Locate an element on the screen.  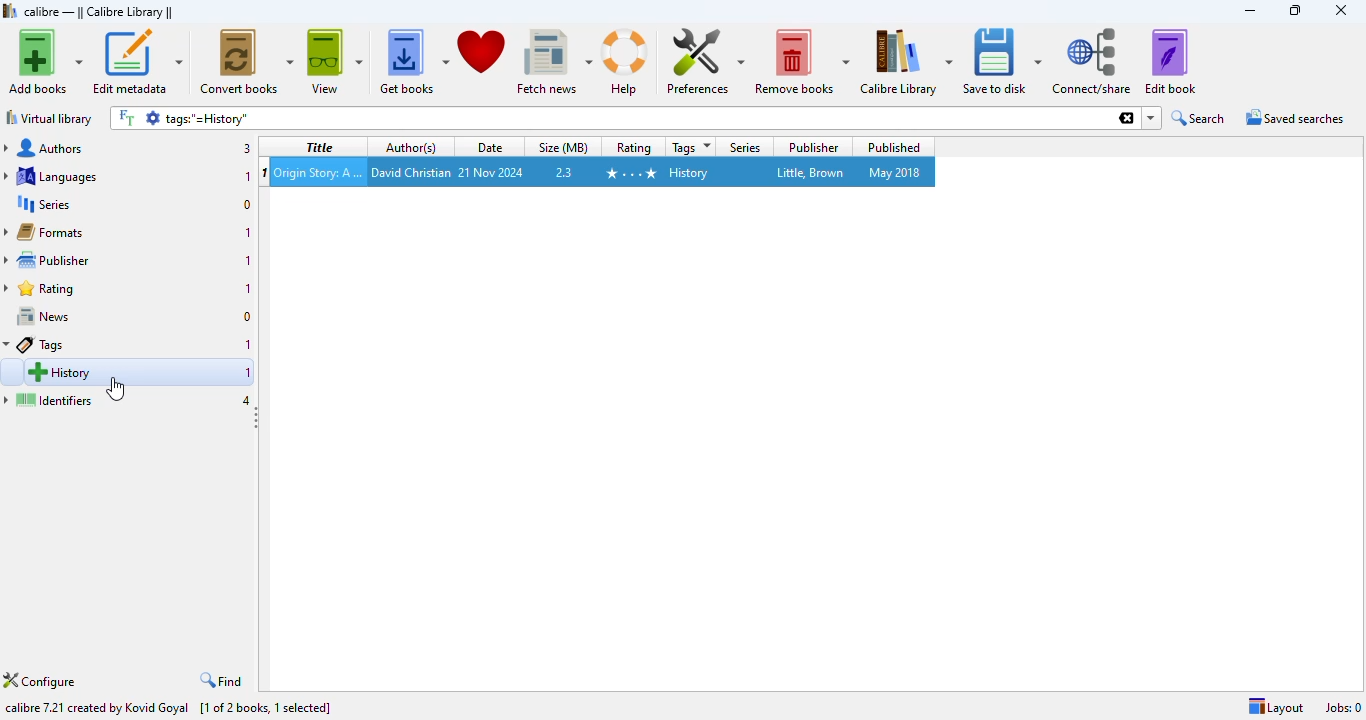
1 is located at coordinates (251, 261).